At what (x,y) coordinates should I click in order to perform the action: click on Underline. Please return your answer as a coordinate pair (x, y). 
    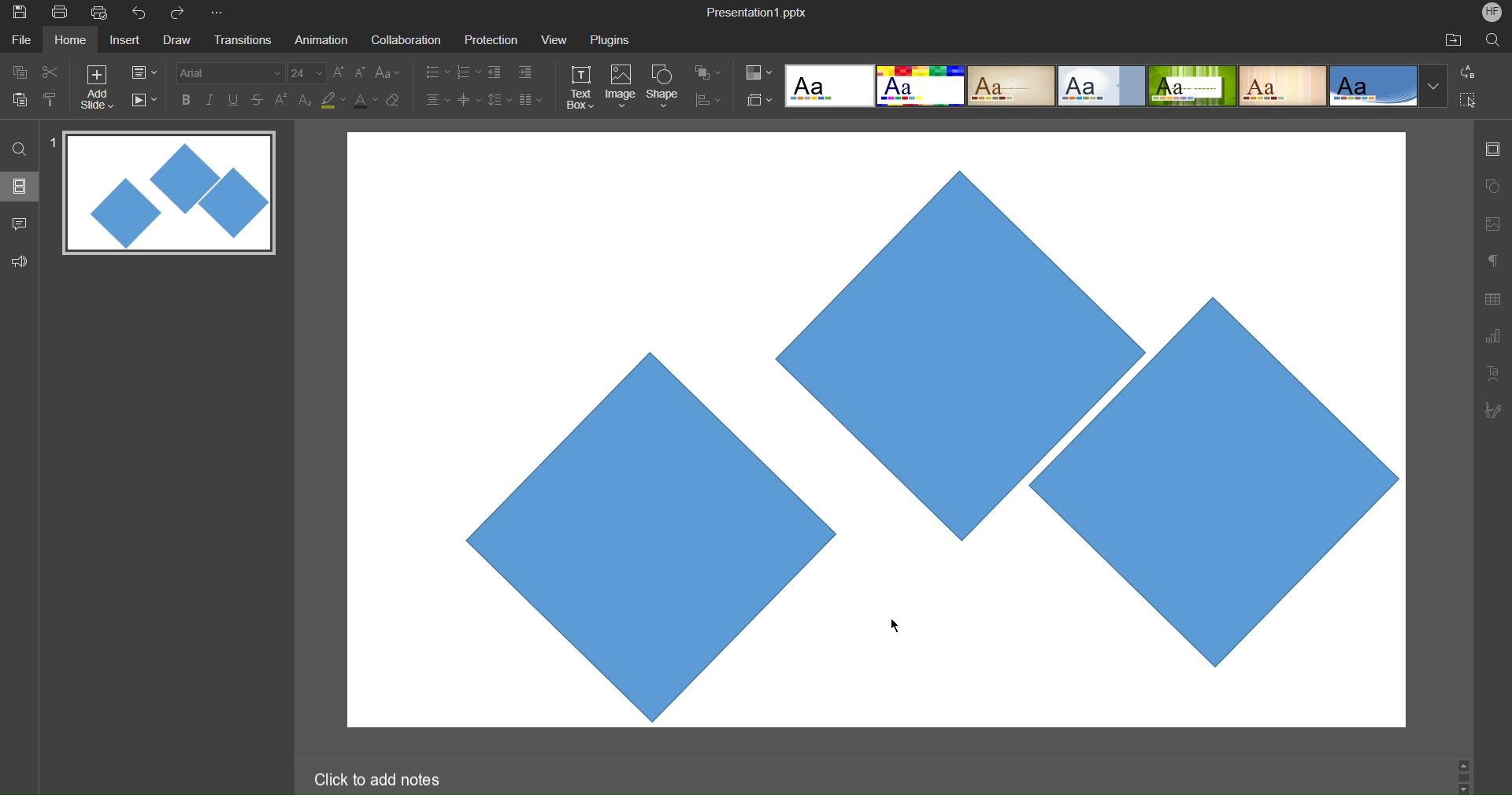
    Looking at the image, I should click on (234, 100).